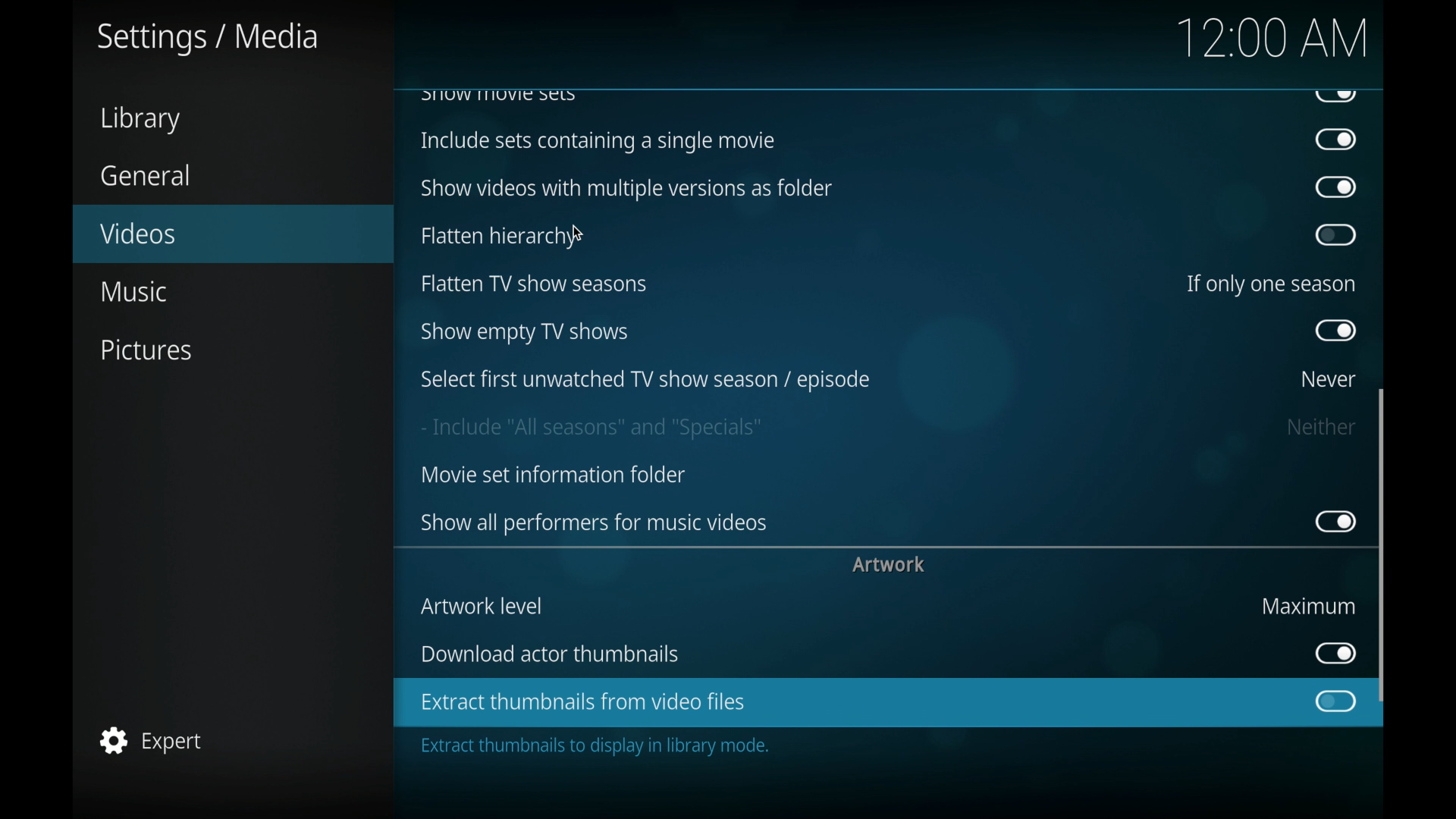 The width and height of the screenshot is (1456, 819). I want to click on show empty tv shows, so click(526, 334).